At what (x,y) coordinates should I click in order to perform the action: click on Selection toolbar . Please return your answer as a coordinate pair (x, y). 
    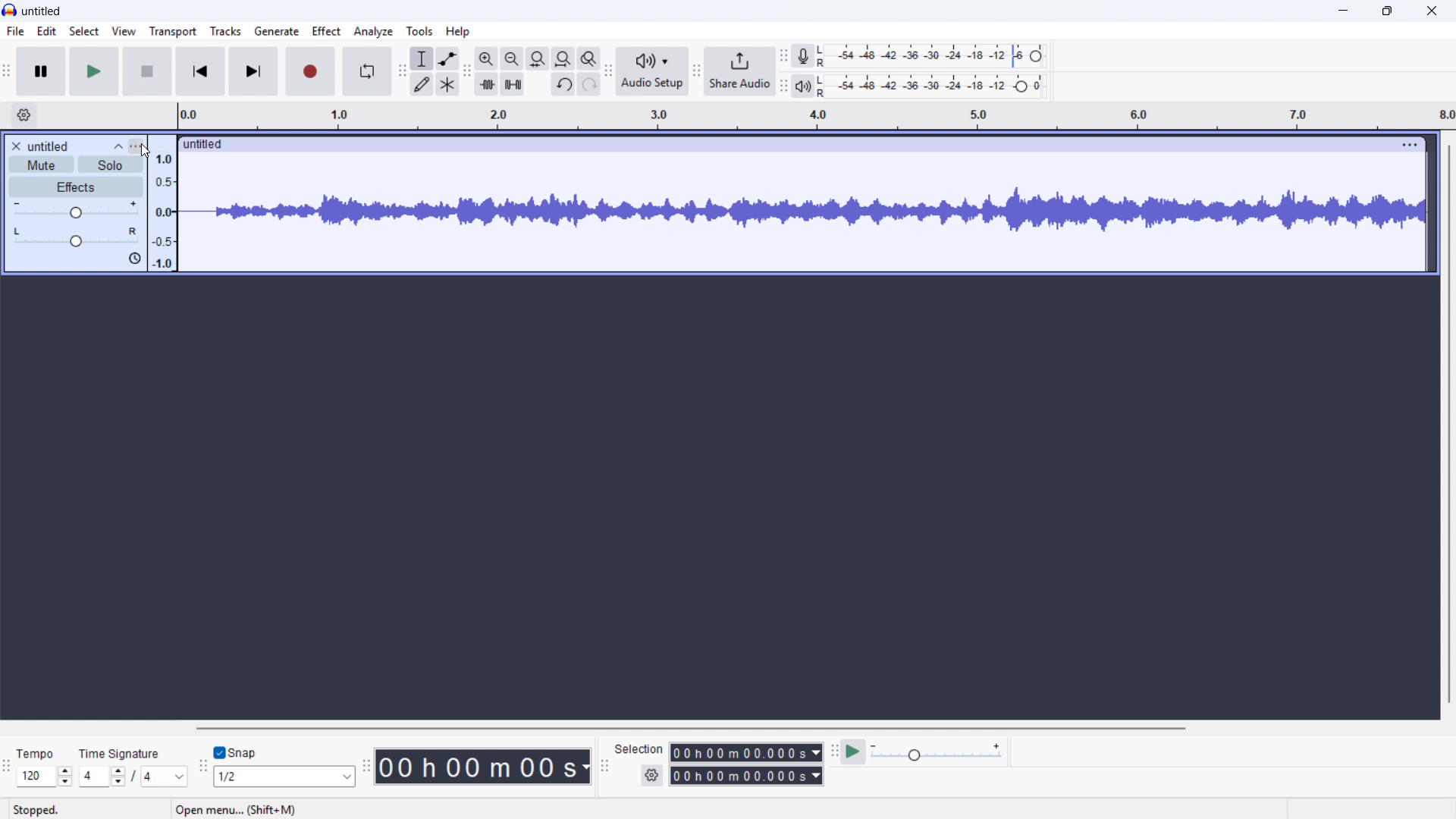
    Looking at the image, I should click on (603, 766).